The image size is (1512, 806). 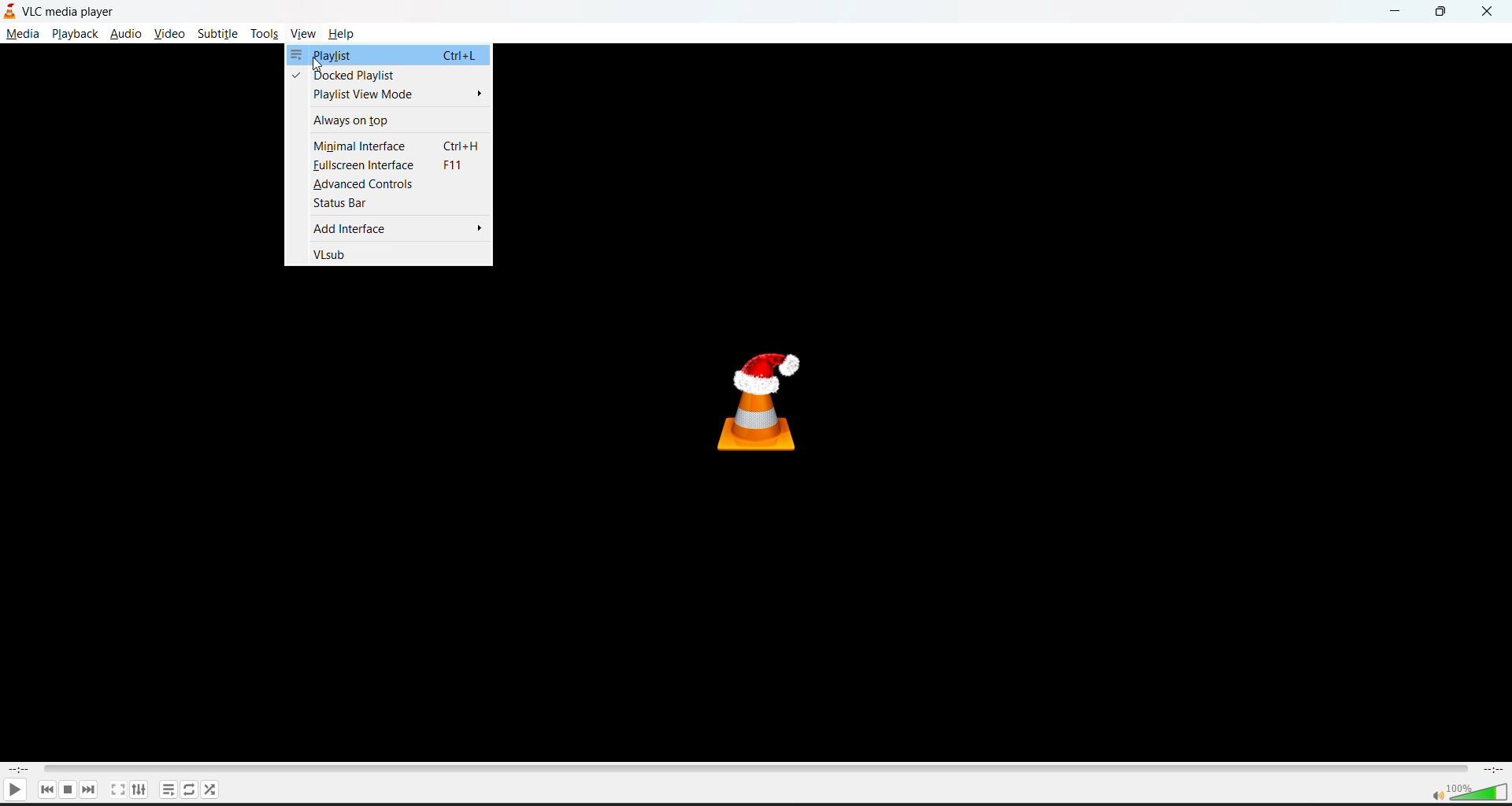 I want to click on status bar, so click(x=390, y=205).